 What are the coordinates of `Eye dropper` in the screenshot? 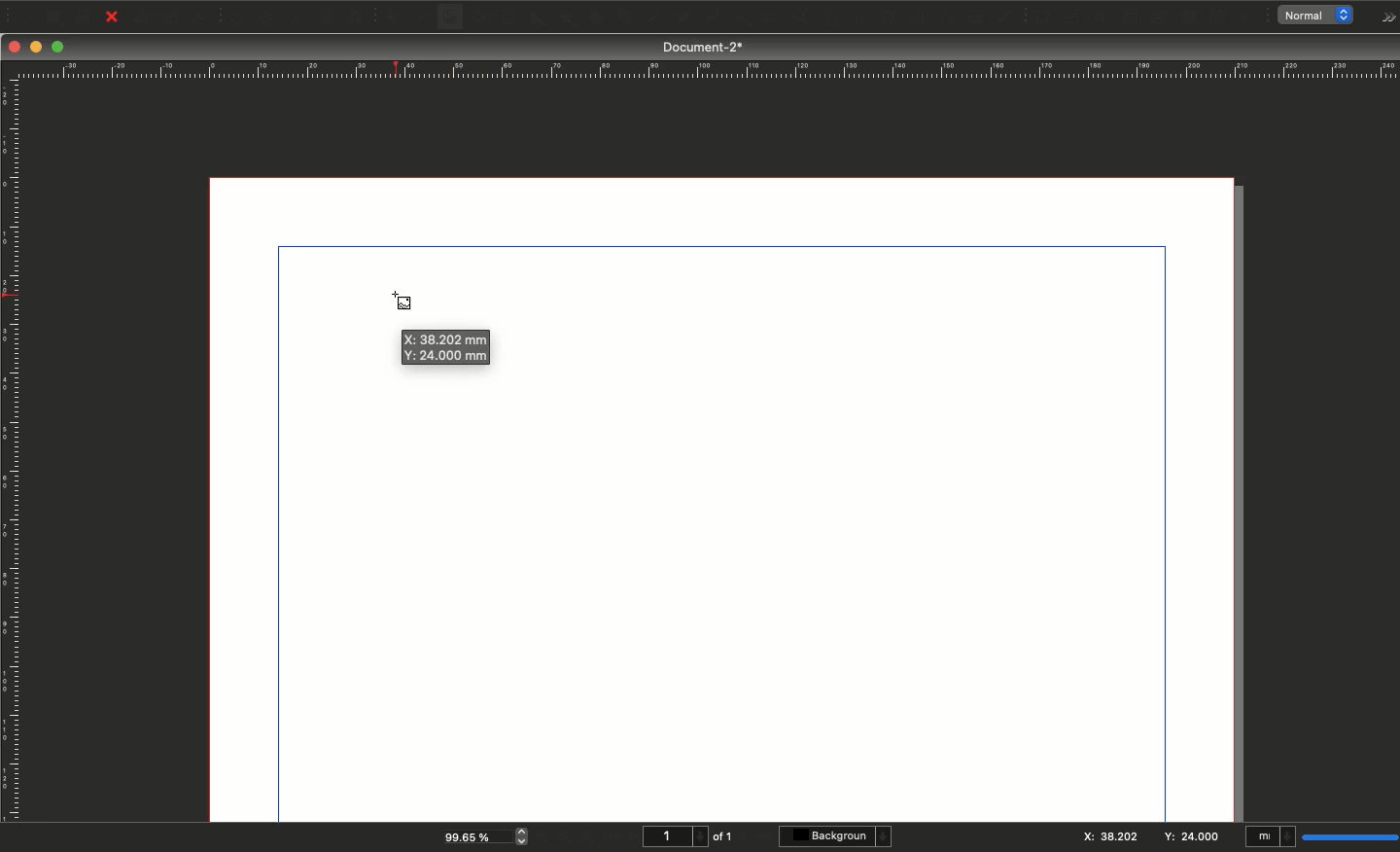 It's located at (1004, 18).